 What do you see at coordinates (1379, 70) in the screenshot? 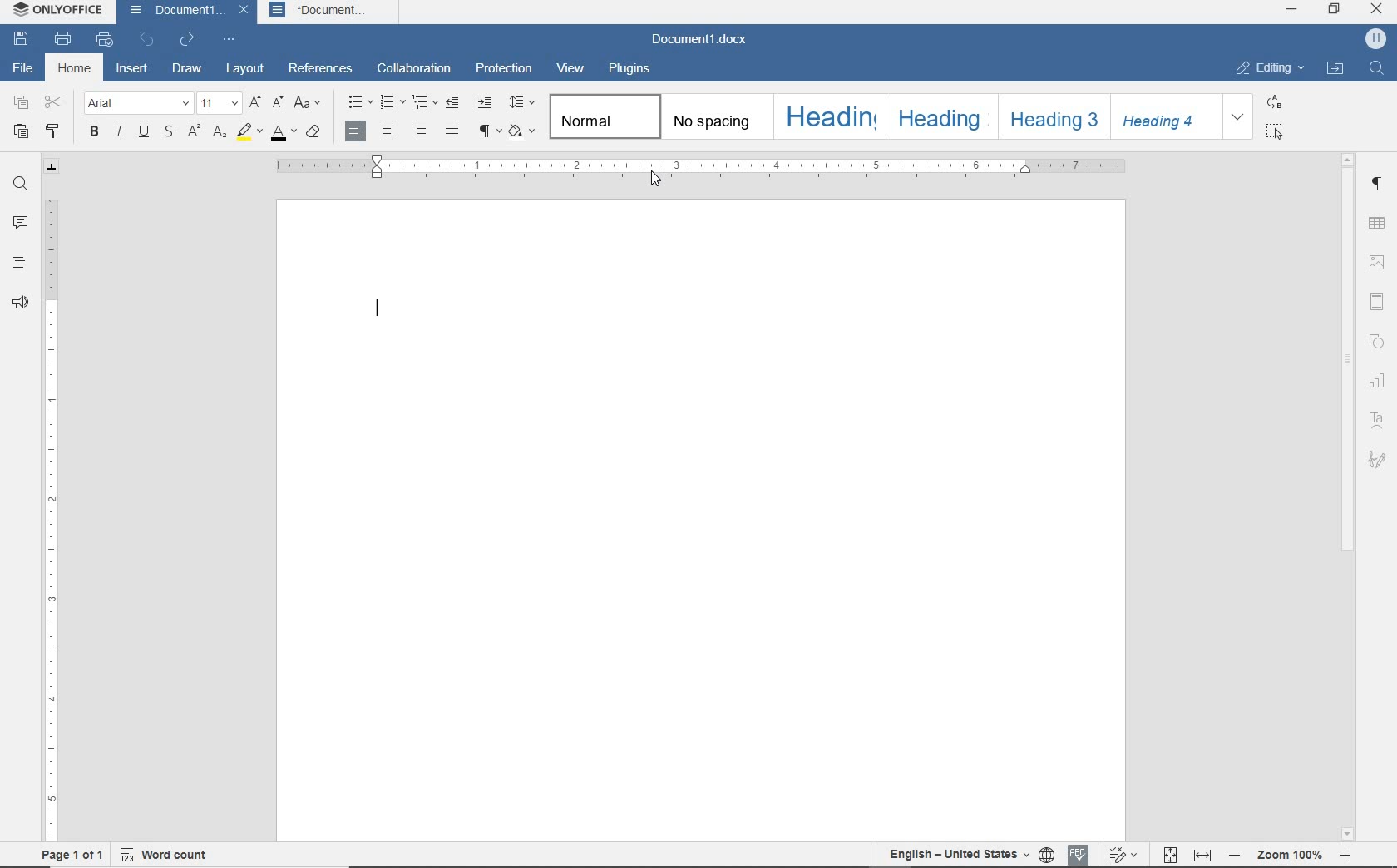
I see `find` at bounding box center [1379, 70].